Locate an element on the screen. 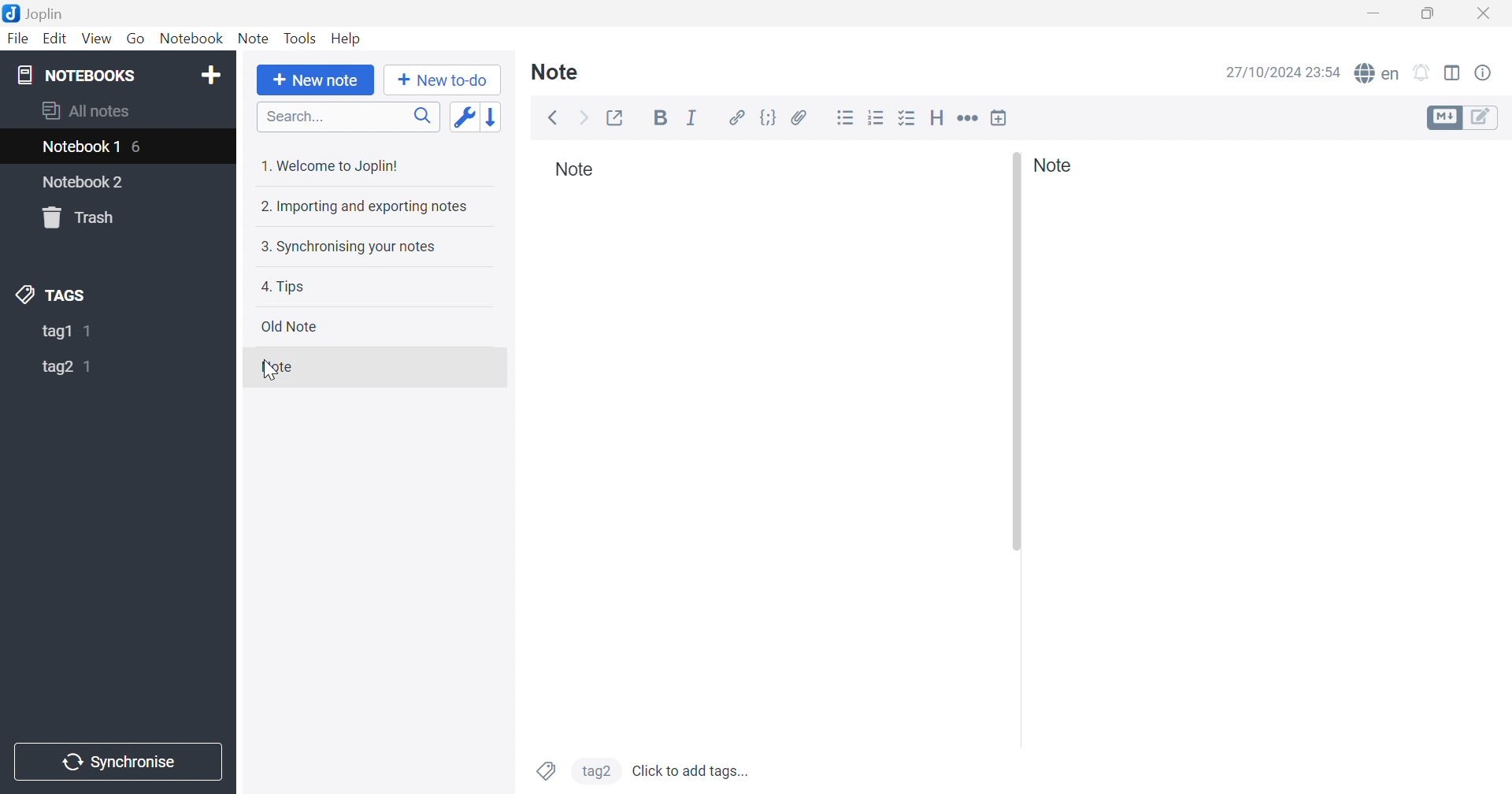 The image size is (1512, 794). 1. Welcome to Joplin! is located at coordinates (334, 165).